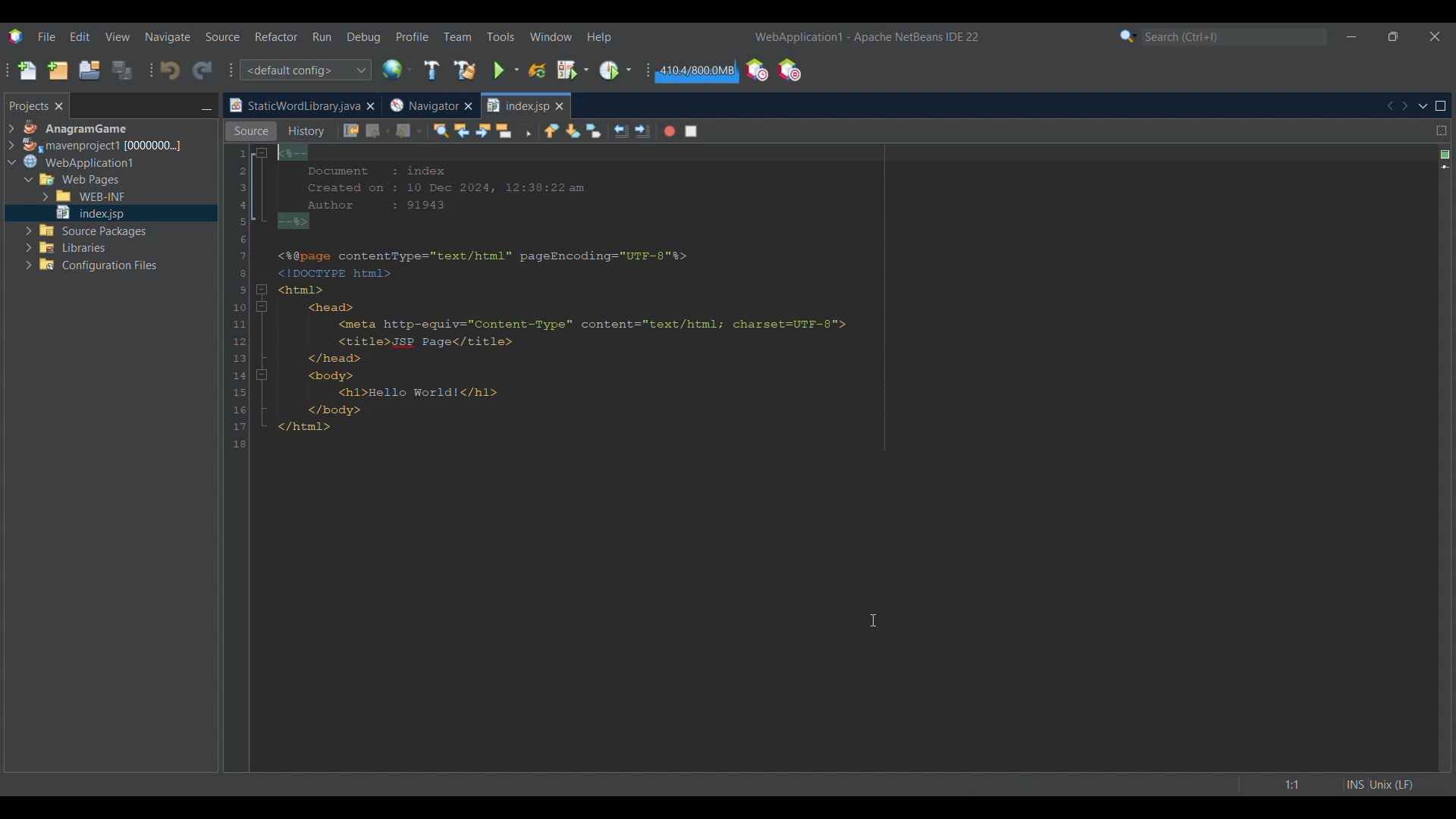  Describe the element at coordinates (430, 105) in the screenshot. I see `Other tab` at that location.